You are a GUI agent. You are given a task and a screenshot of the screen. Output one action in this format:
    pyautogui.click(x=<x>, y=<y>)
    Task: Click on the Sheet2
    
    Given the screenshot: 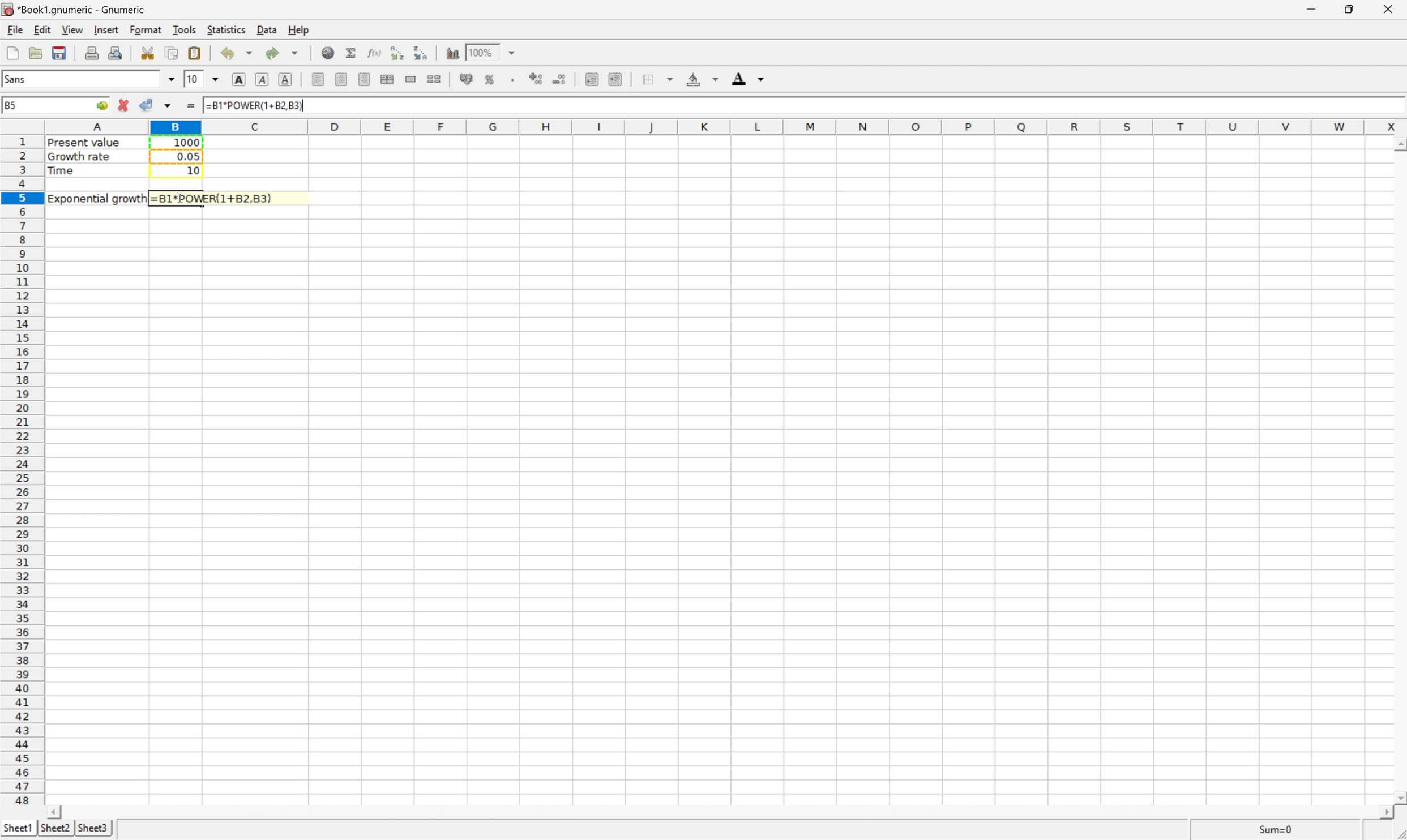 What is the action you would take?
    pyautogui.click(x=57, y=827)
    